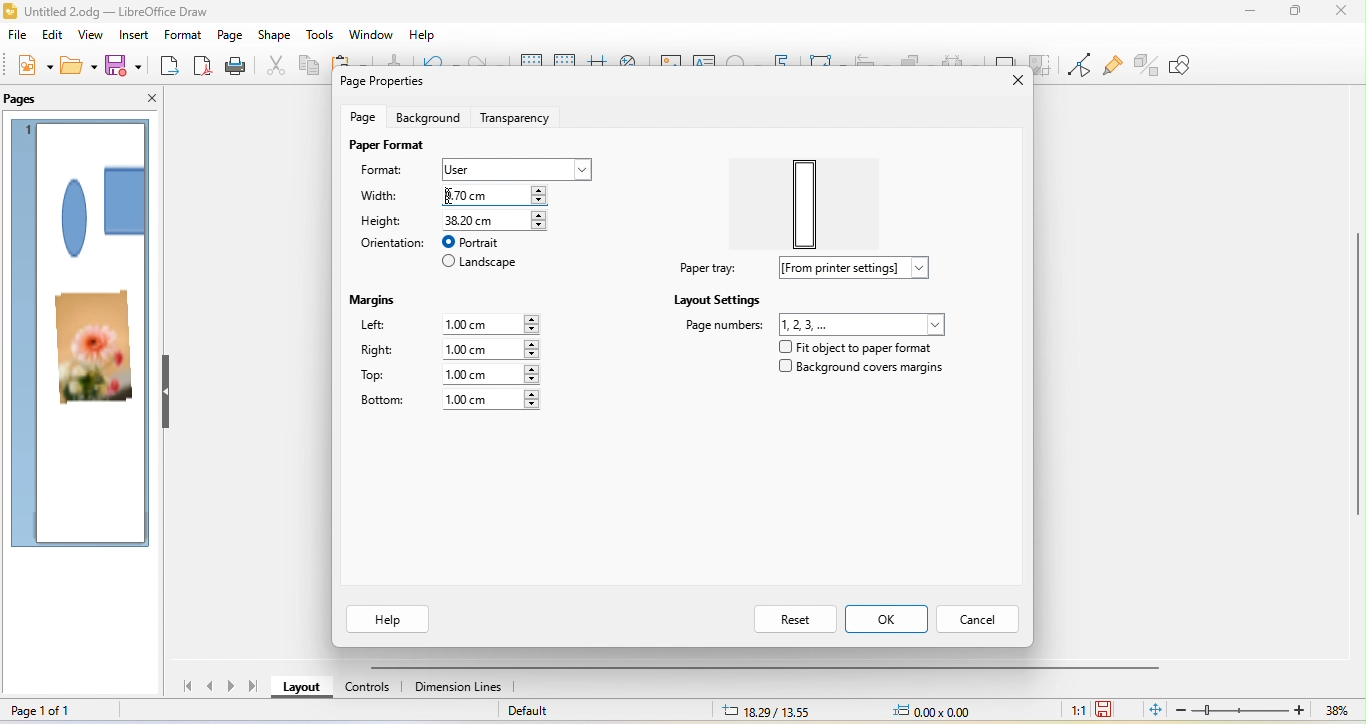 This screenshot has width=1366, height=724. I want to click on right, so click(378, 351).